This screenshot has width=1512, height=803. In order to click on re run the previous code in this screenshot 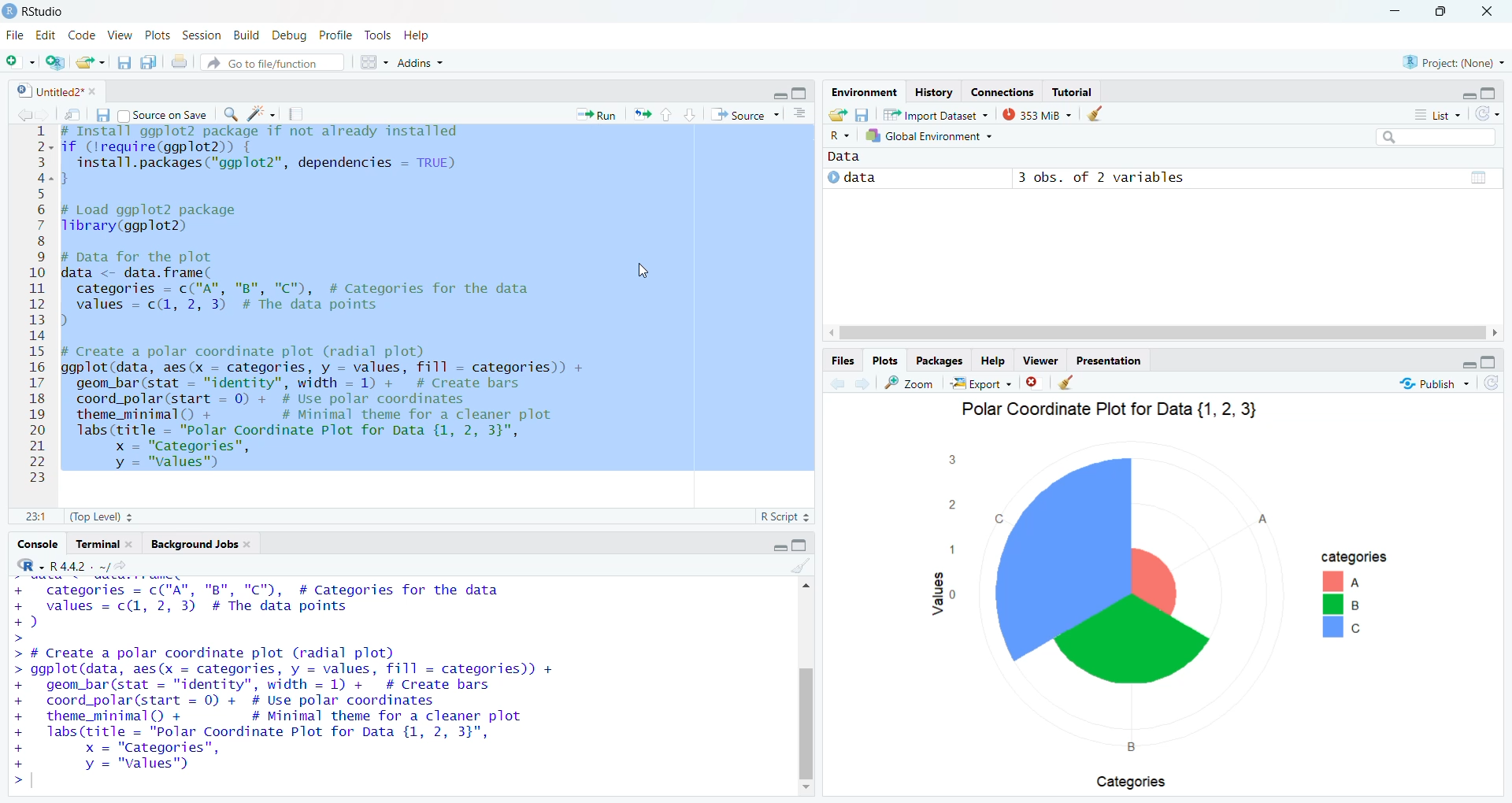, I will do `click(641, 115)`.